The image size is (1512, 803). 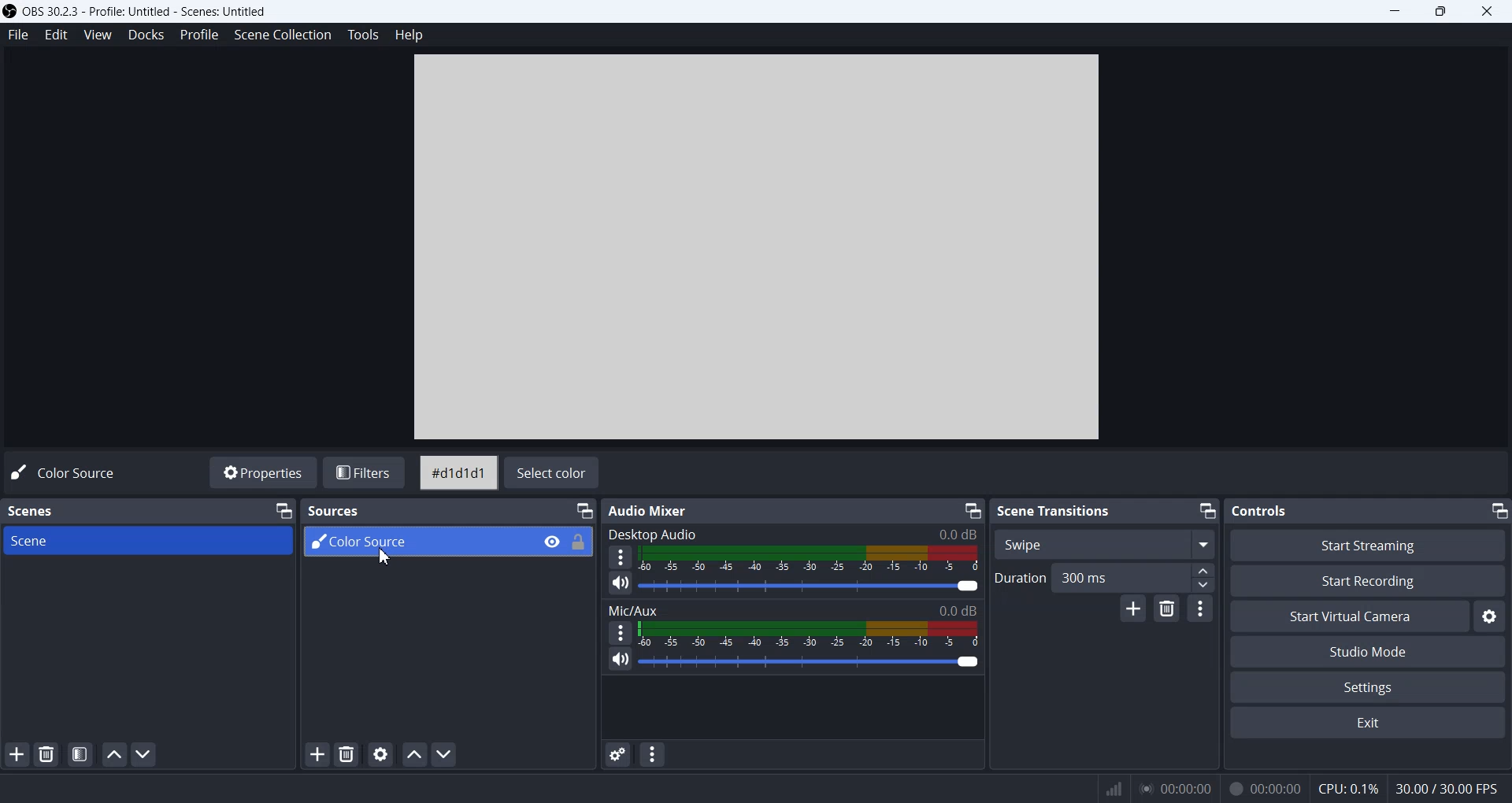 What do you see at coordinates (150, 541) in the screenshot?
I see `Scene` at bounding box center [150, 541].